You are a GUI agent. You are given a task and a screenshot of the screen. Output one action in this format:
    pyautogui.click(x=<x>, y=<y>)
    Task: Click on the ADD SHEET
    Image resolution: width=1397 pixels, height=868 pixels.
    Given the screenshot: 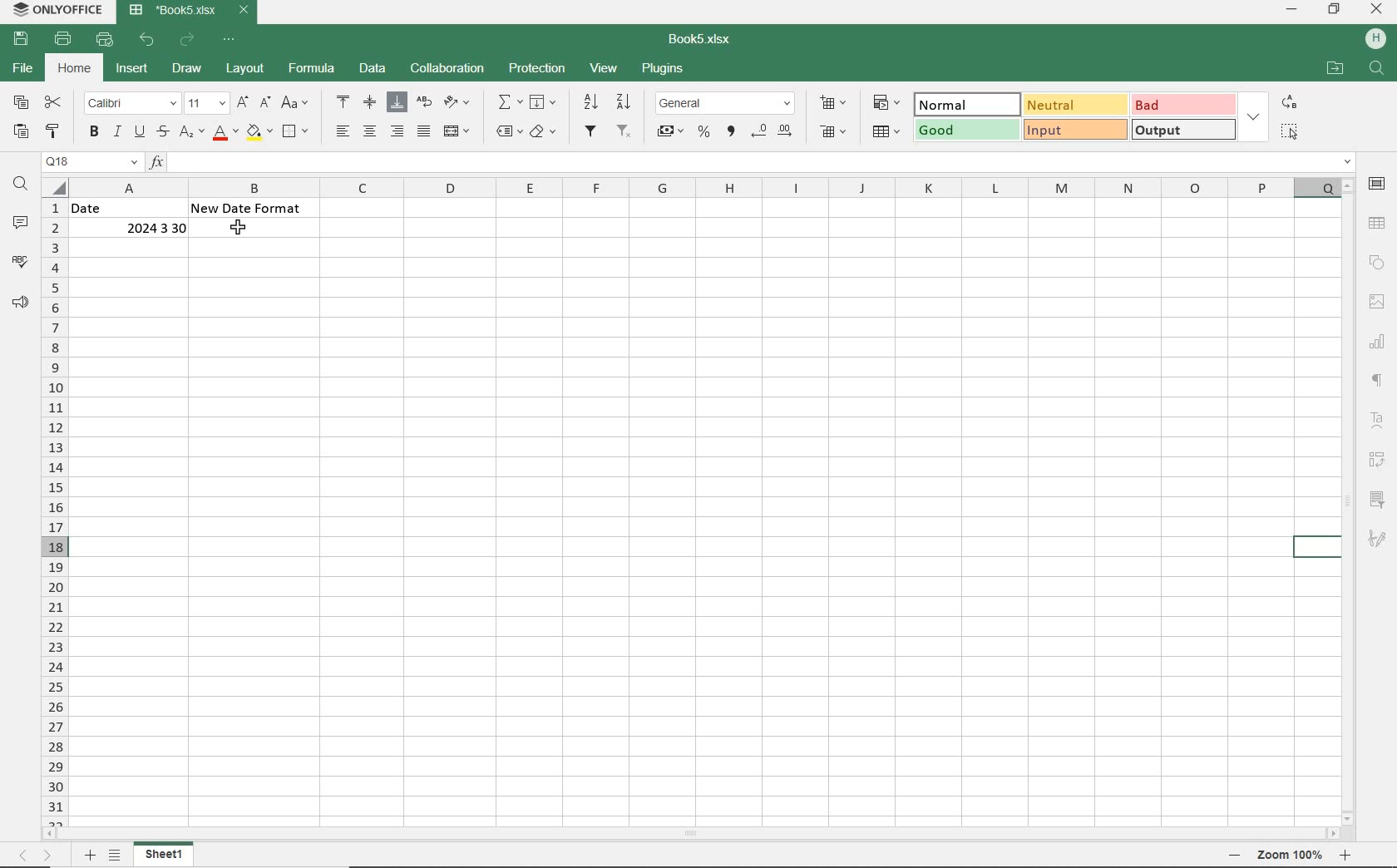 What is the action you would take?
    pyautogui.click(x=90, y=856)
    